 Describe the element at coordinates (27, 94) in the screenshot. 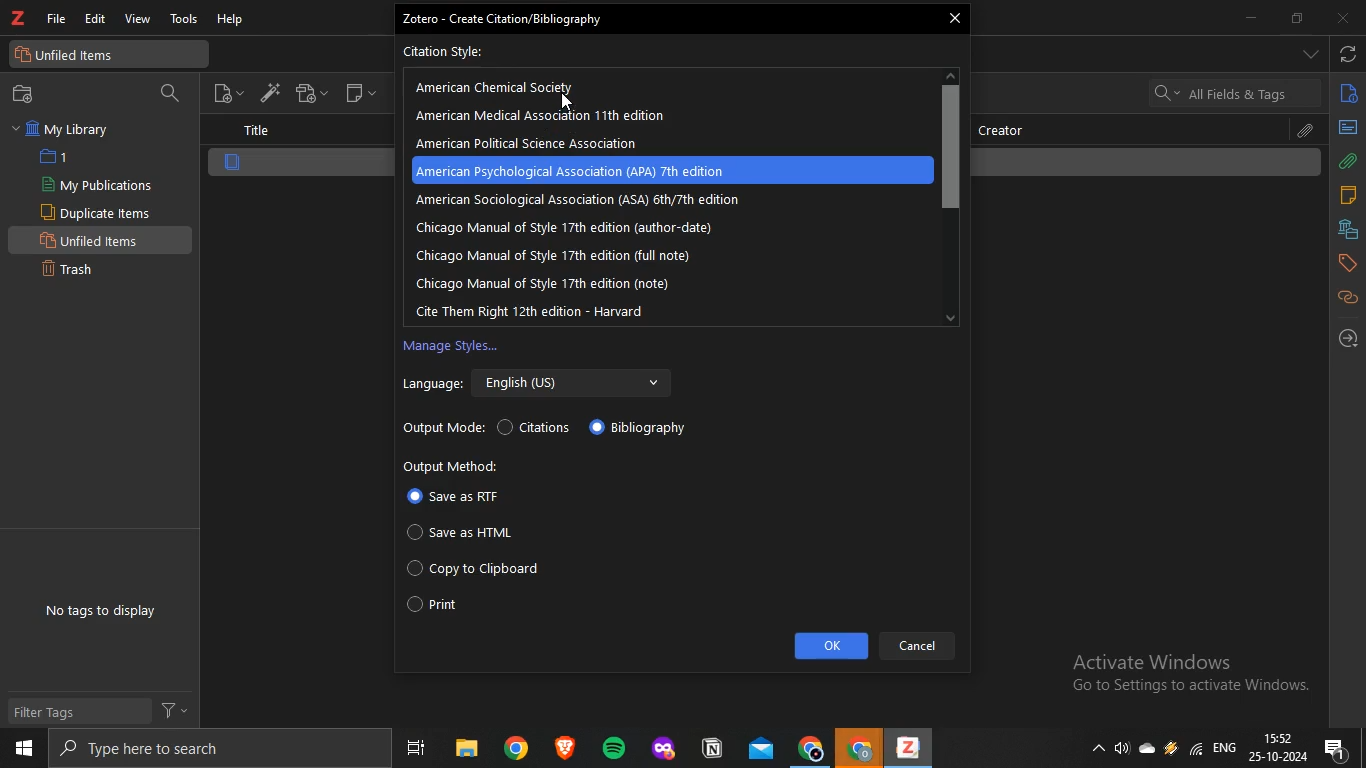

I see `new collection` at that location.